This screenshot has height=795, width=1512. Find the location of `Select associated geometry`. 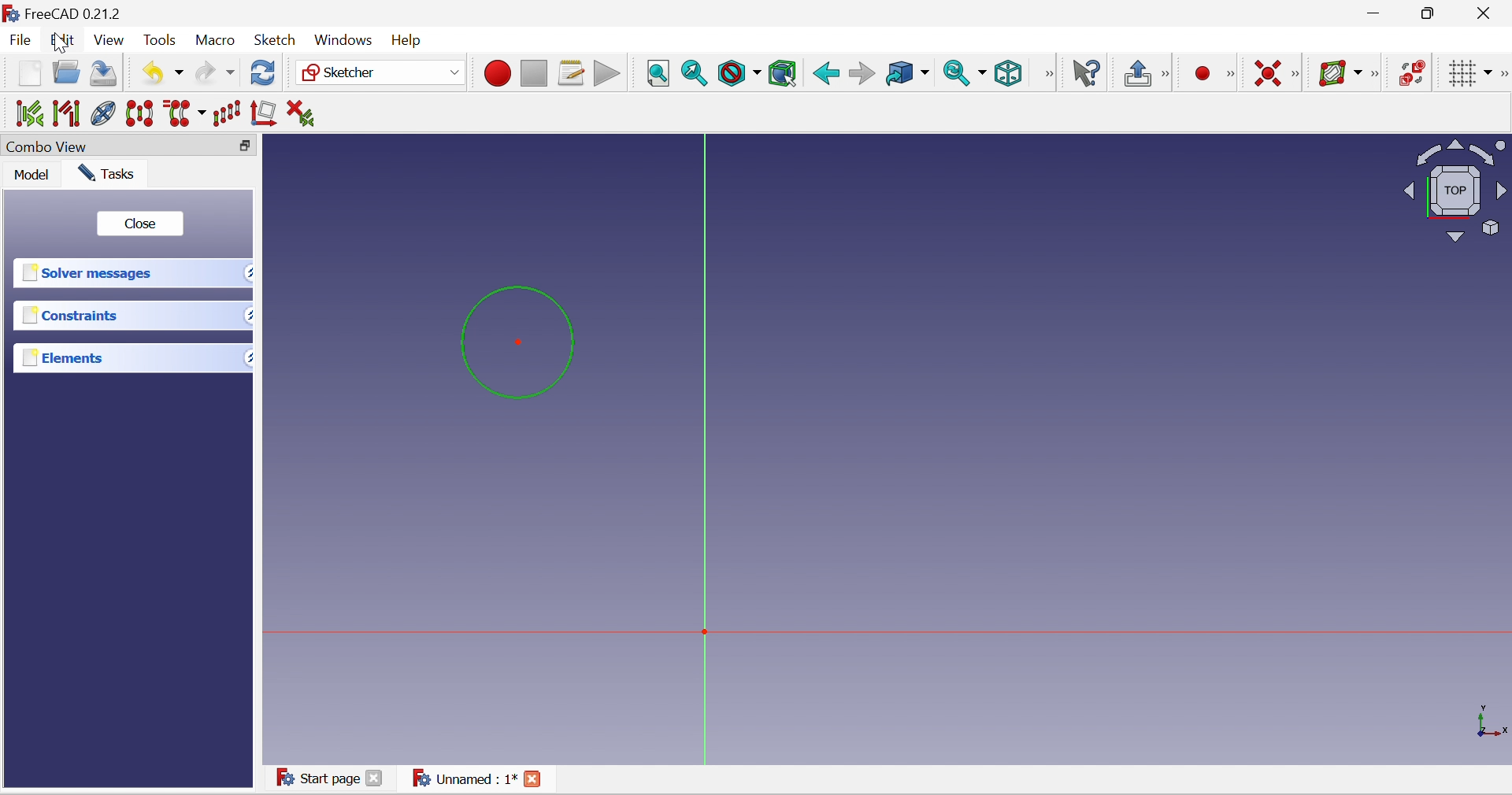

Select associated geometry is located at coordinates (67, 114).